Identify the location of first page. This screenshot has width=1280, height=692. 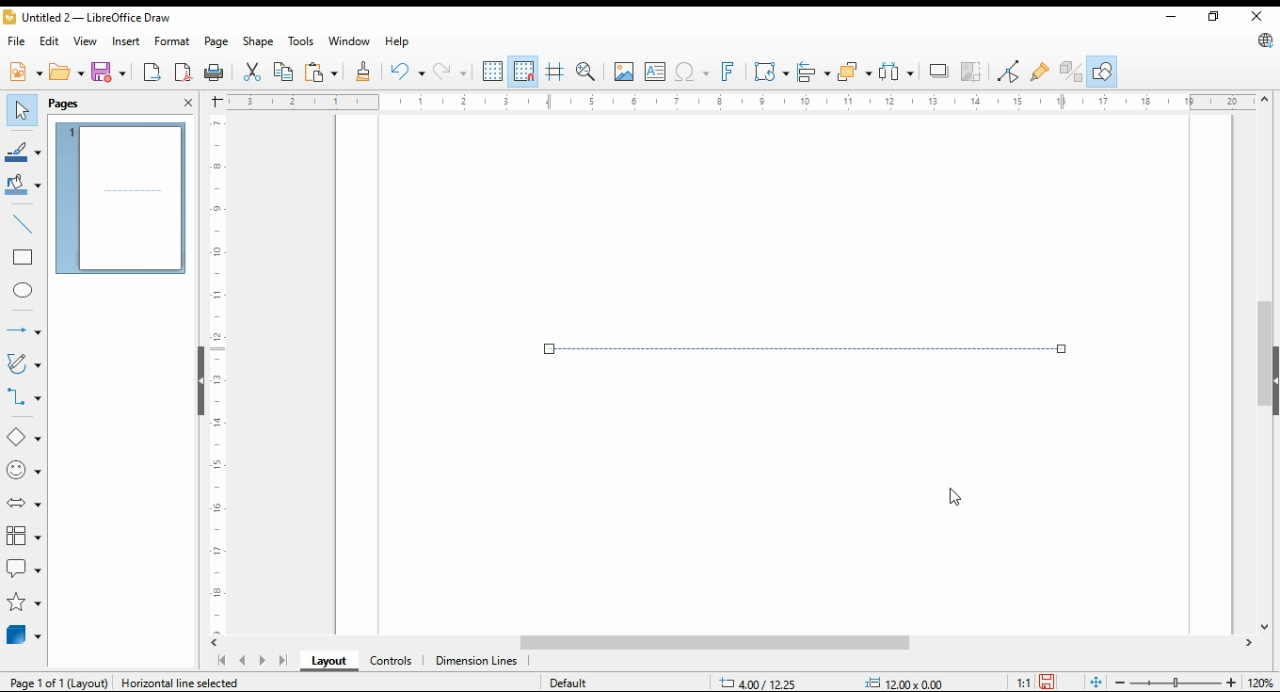
(220, 661).